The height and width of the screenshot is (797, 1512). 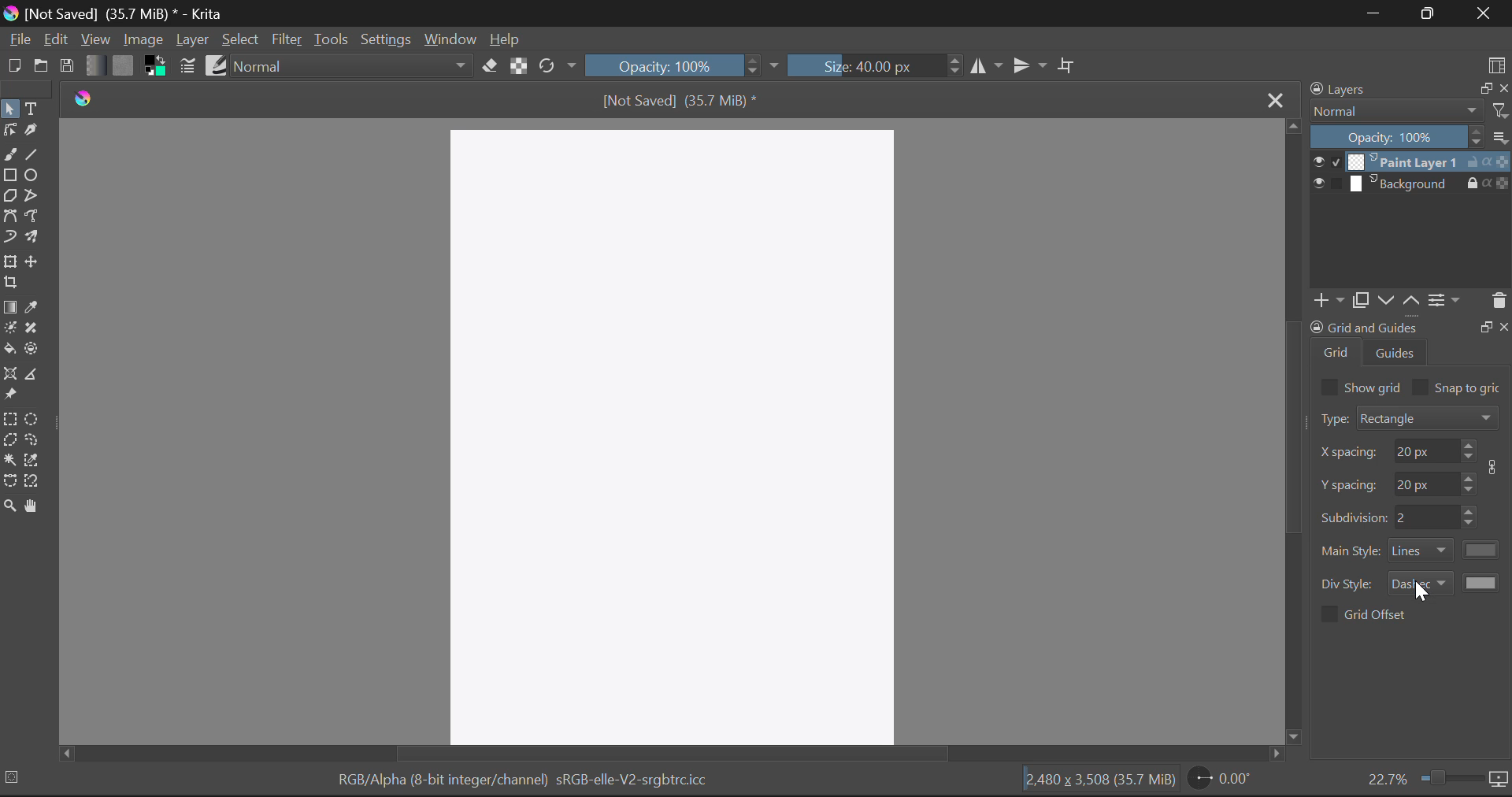 What do you see at coordinates (9, 350) in the screenshot?
I see `Fill` at bounding box center [9, 350].